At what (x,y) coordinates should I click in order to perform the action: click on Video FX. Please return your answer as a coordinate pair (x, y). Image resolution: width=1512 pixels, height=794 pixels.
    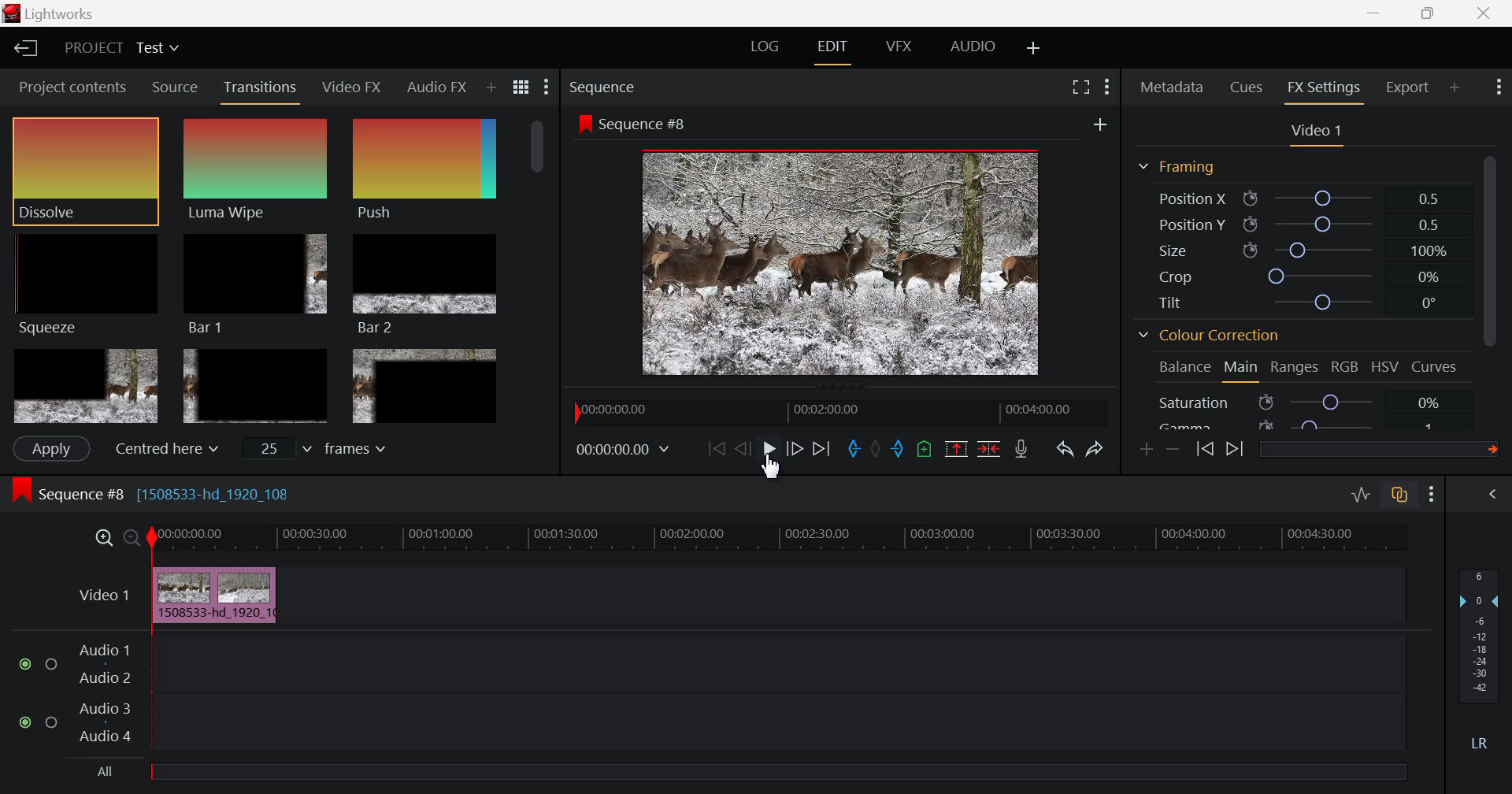
    Looking at the image, I should click on (353, 86).